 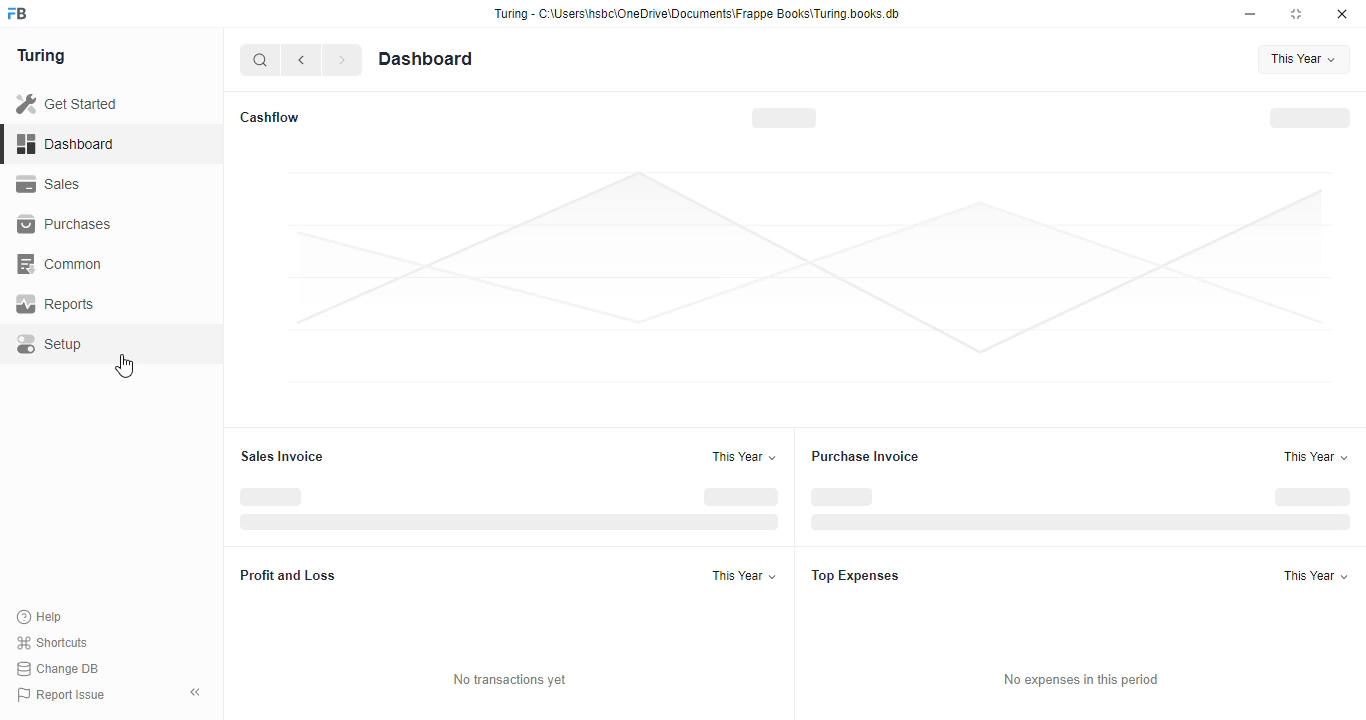 What do you see at coordinates (811, 278) in the screenshot?
I see `graph` at bounding box center [811, 278].